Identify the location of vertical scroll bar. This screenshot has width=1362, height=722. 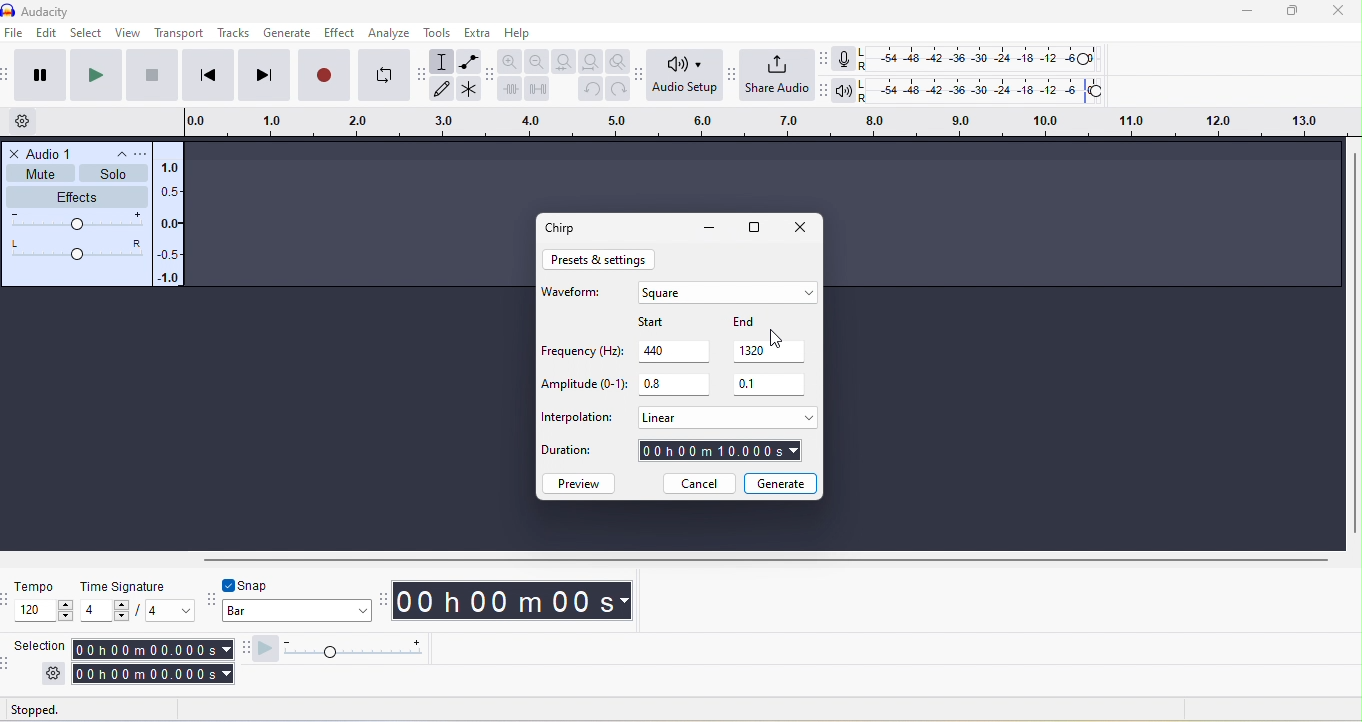
(1353, 343).